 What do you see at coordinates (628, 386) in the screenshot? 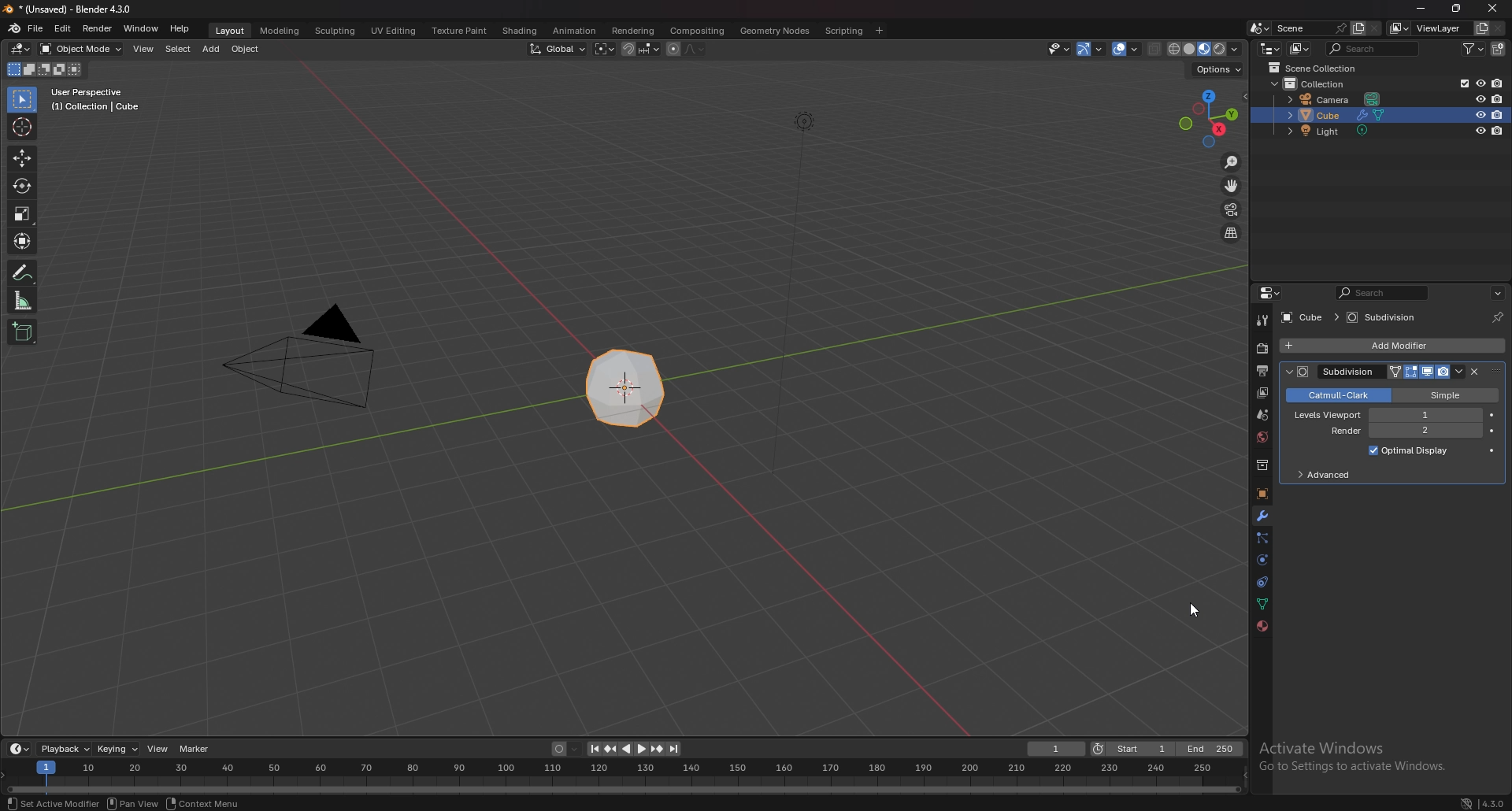
I see `cube` at bounding box center [628, 386].